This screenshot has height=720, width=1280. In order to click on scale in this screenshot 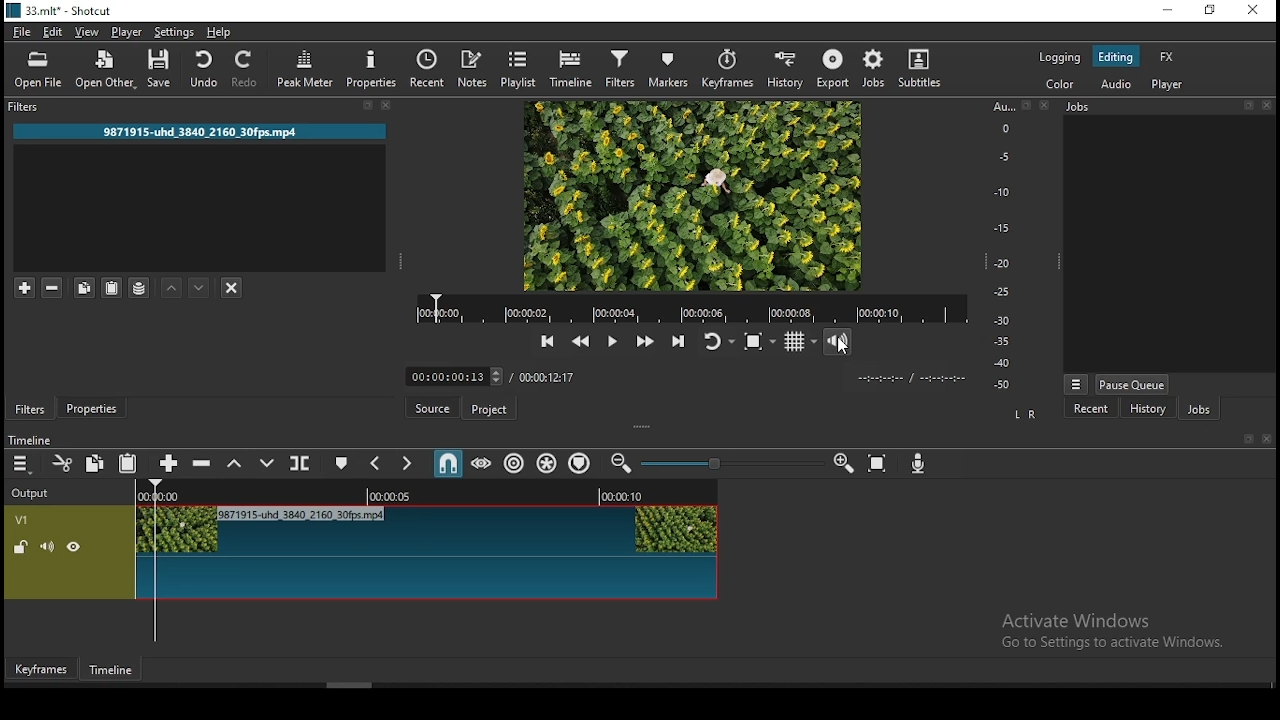, I will do `click(1003, 247)`.